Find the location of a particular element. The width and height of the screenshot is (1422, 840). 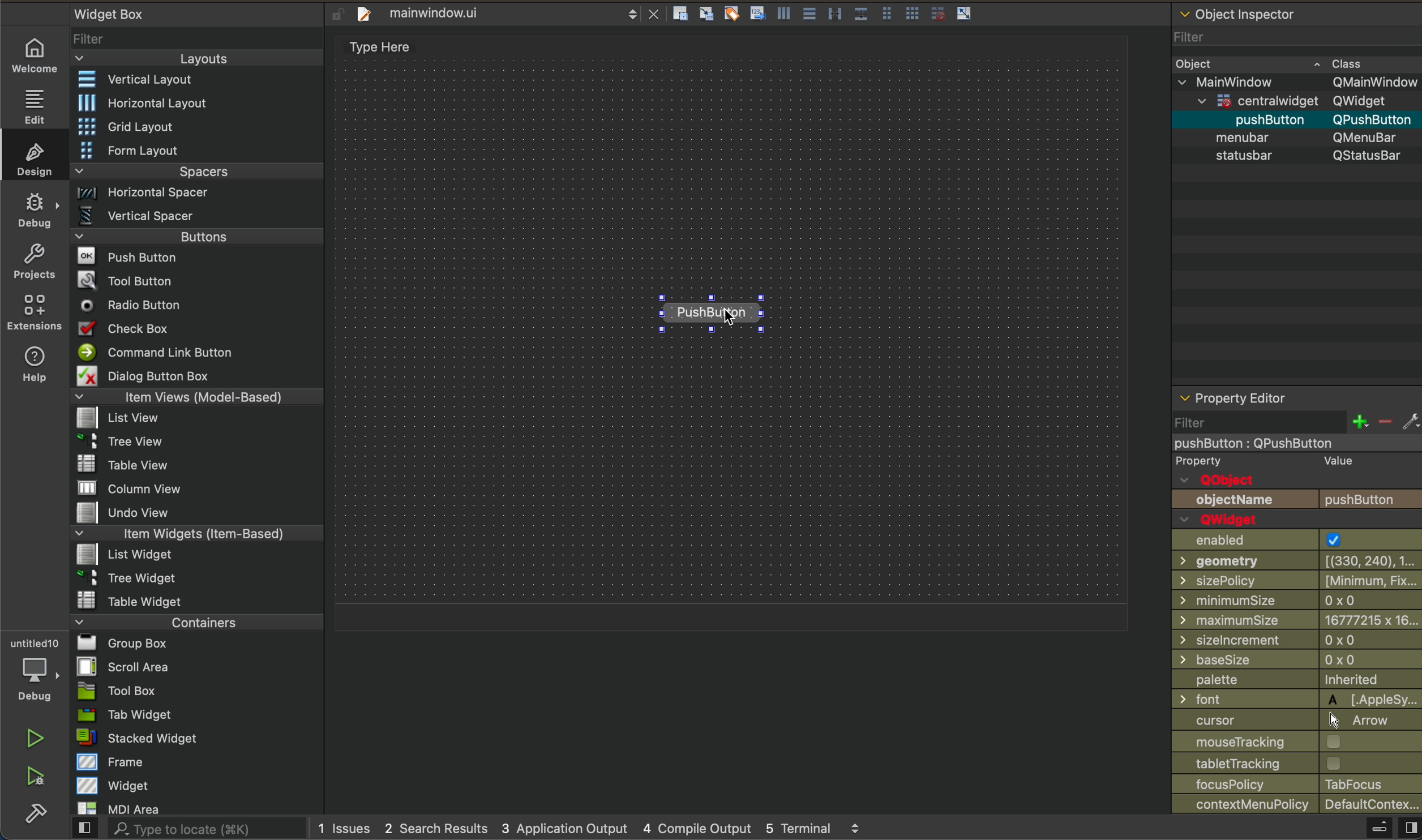

frame is located at coordinates (194, 763).